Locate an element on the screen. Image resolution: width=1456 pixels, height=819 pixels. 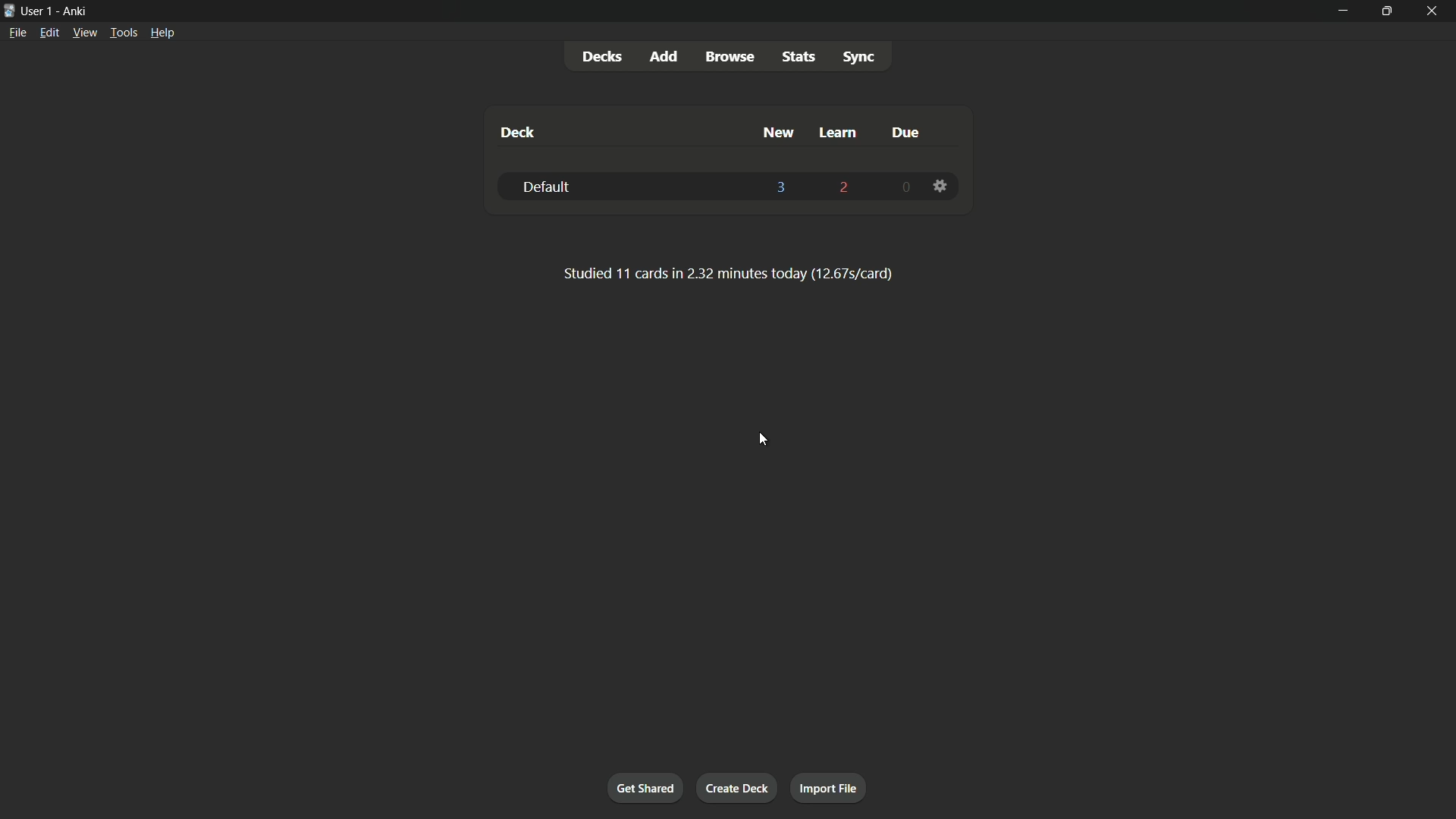
file menu is located at coordinates (18, 32).